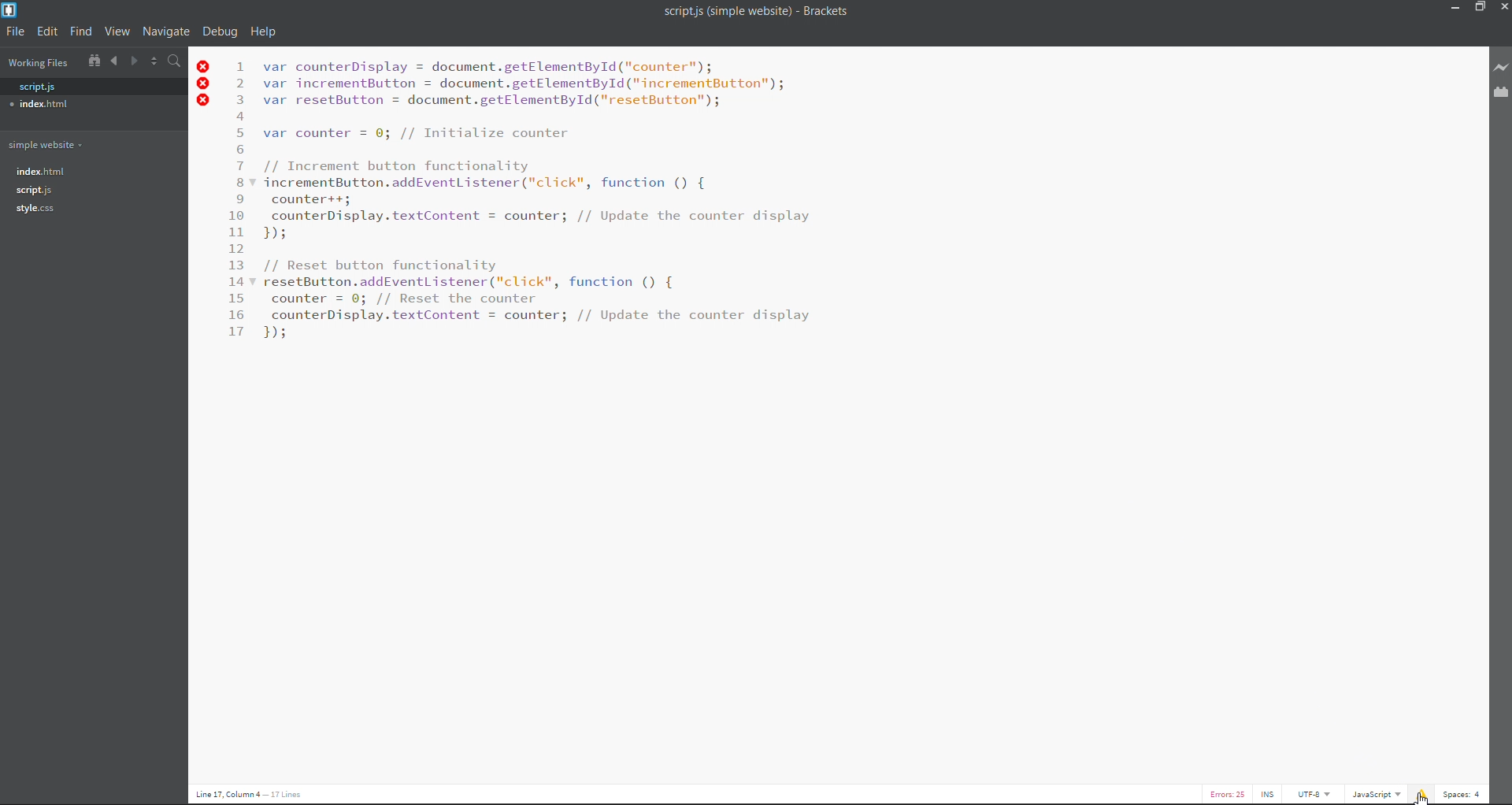 This screenshot has height=805, width=1512. Describe the element at coordinates (1462, 792) in the screenshot. I see `space count` at that location.